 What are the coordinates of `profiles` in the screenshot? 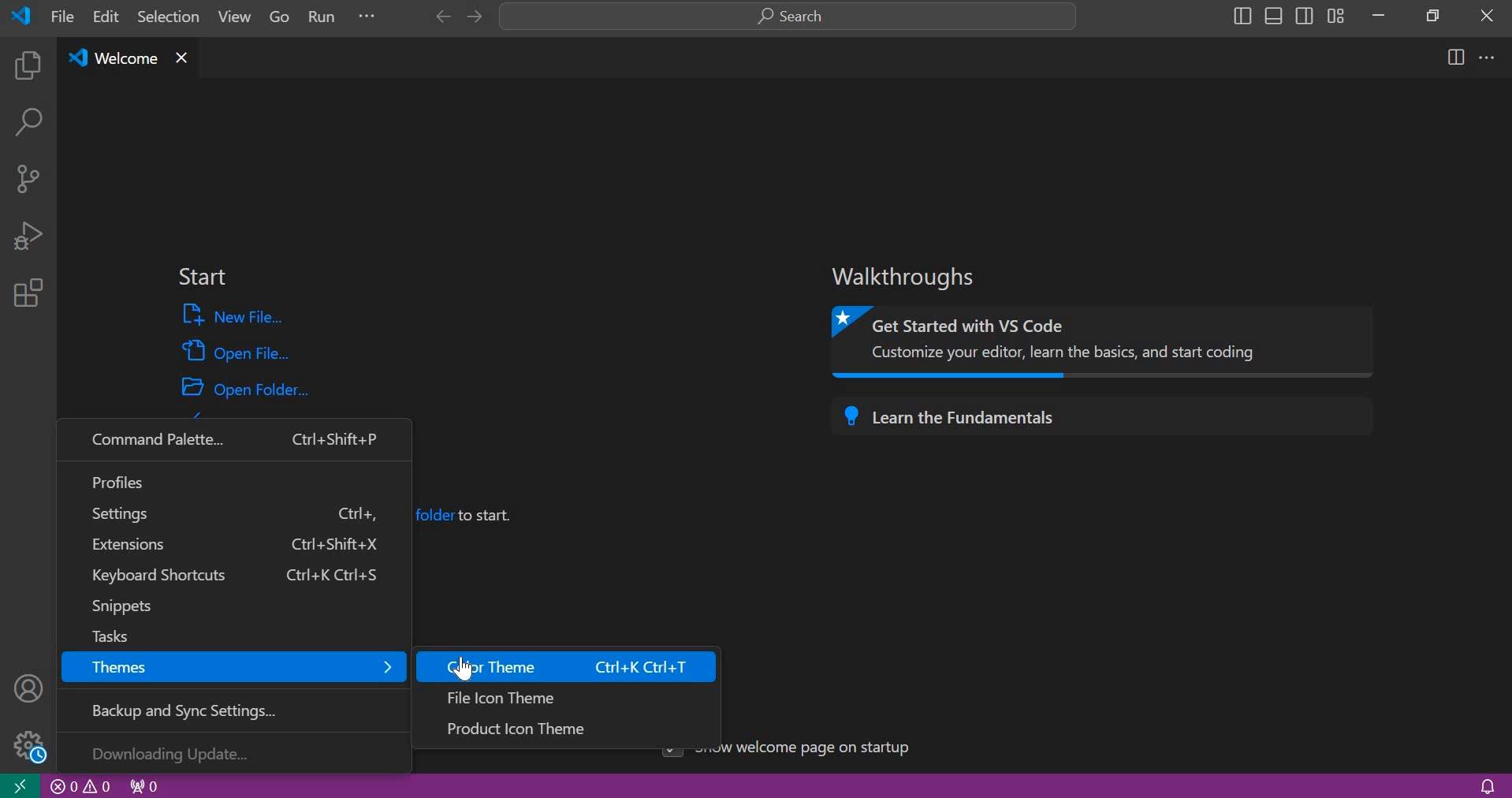 It's located at (234, 479).